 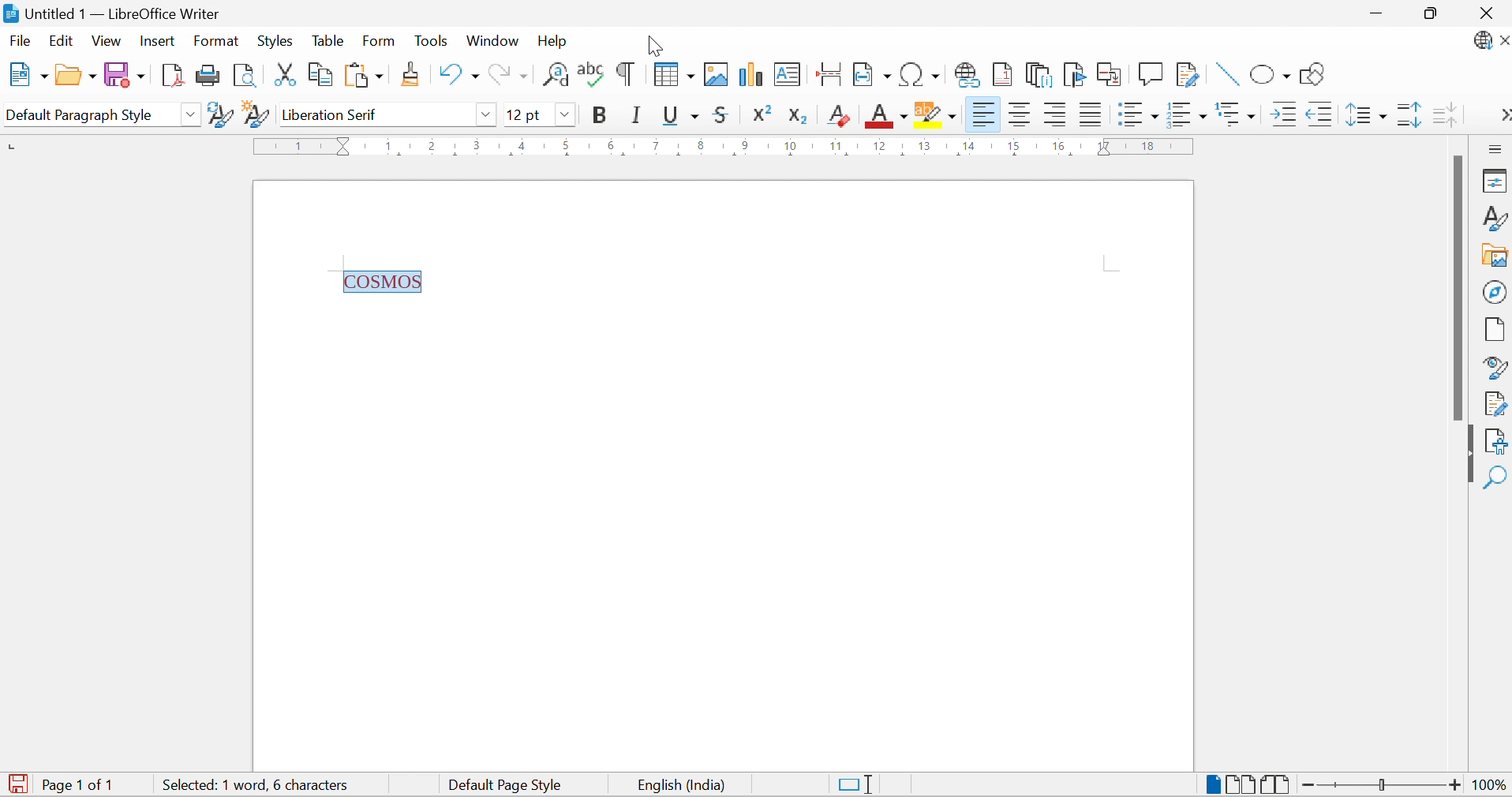 What do you see at coordinates (724, 115) in the screenshot?
I see `Strikethrough` at bounding box center [724, 115].